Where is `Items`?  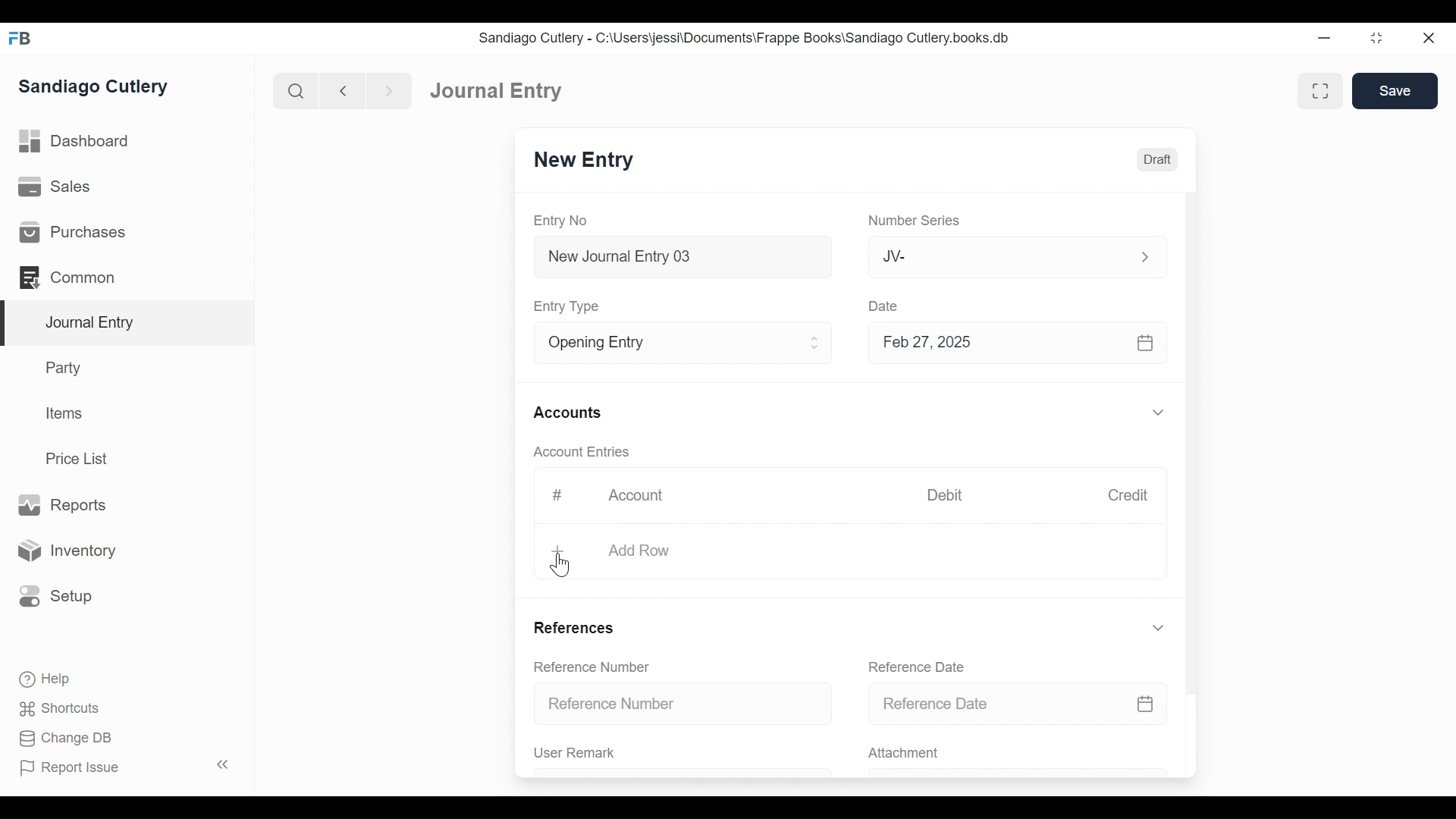 Items is located at coordinates (62, 413).